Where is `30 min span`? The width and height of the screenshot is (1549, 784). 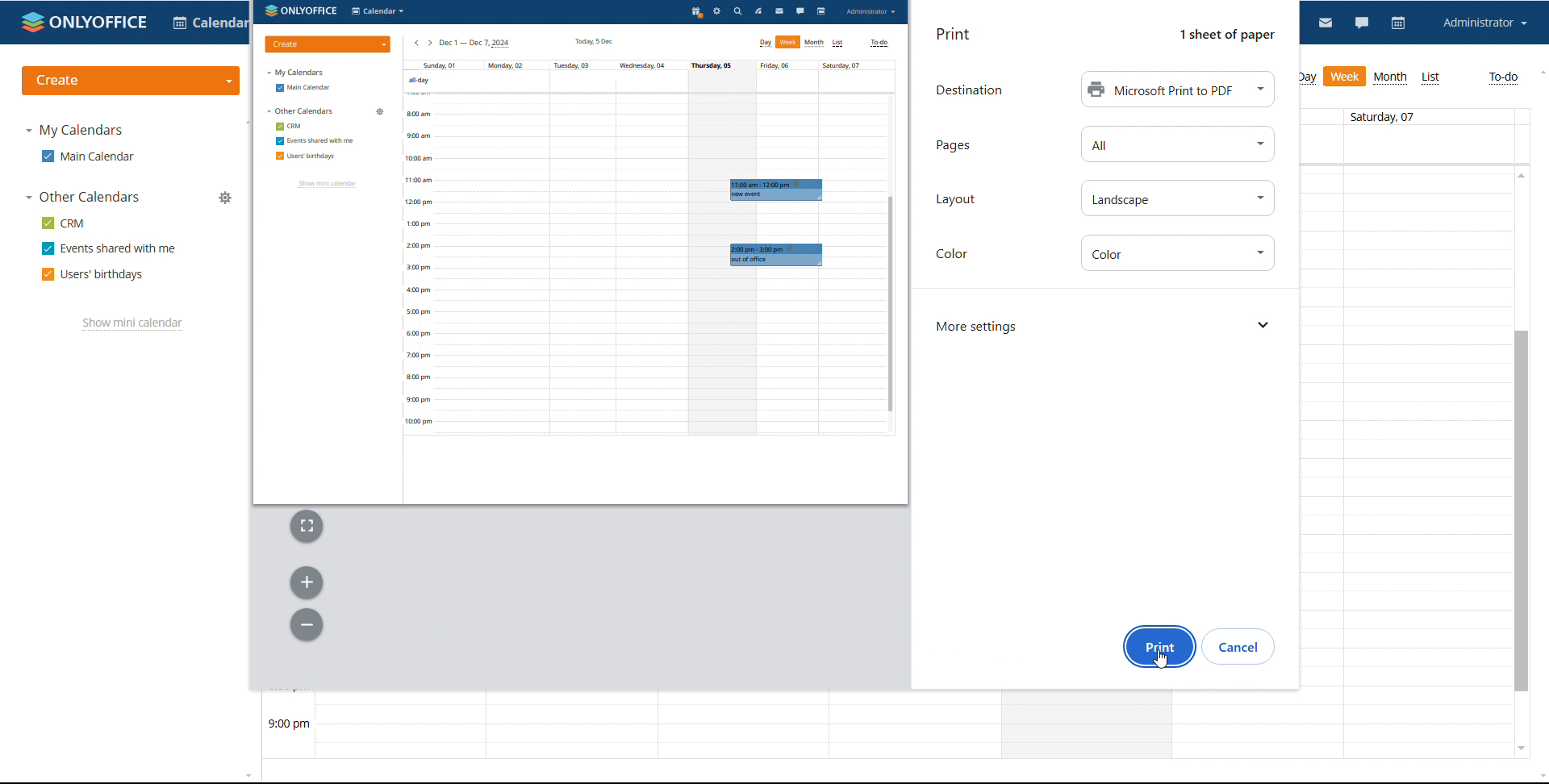
30 min span is located at coordinates (1408, 317).